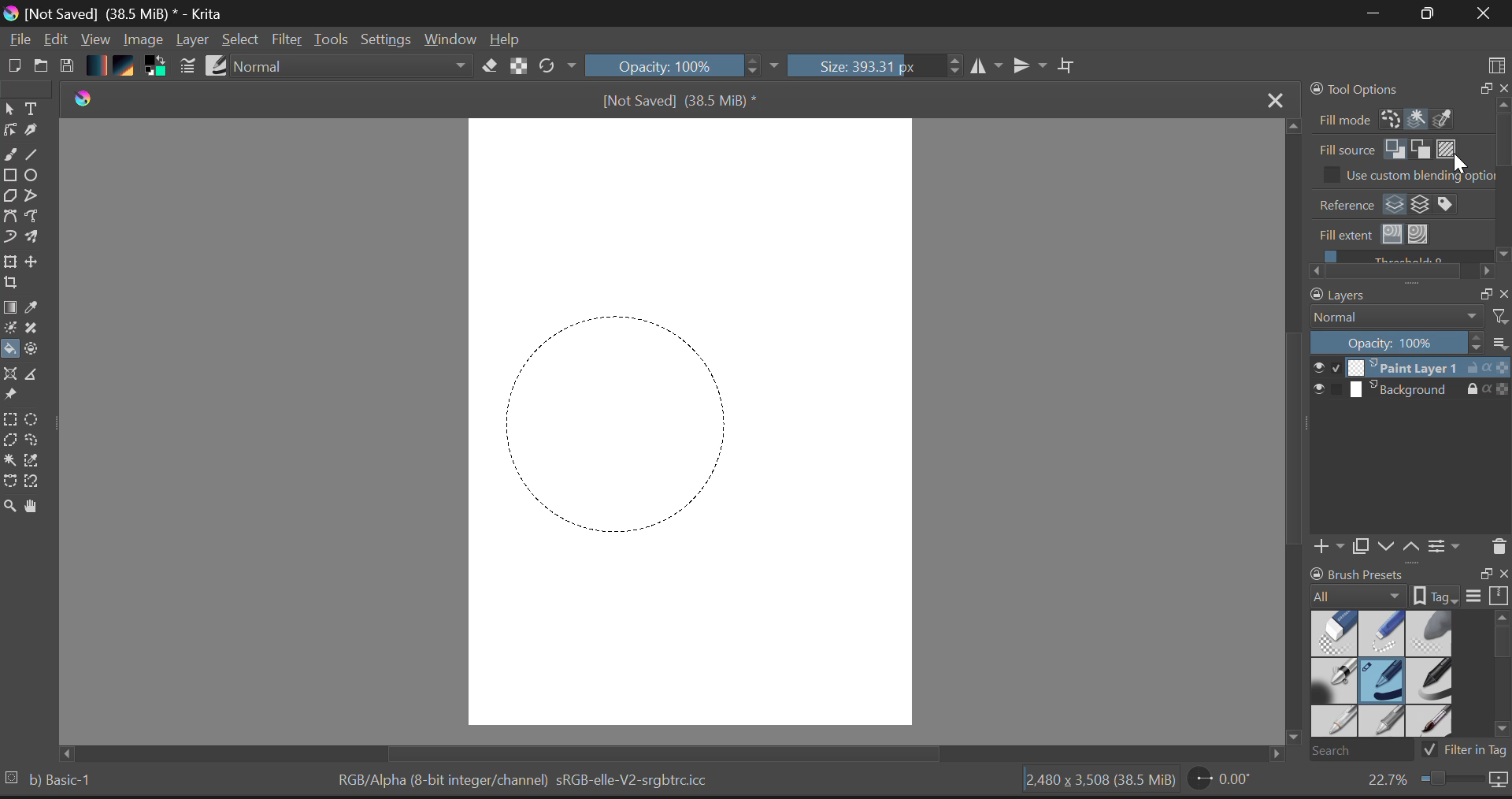 This screenshot has height=799, width=1512. What do you see at coordinates (9, 329) in the screenshot?
I see `Colorize Mask Tool` at bounding box center [9, 329].